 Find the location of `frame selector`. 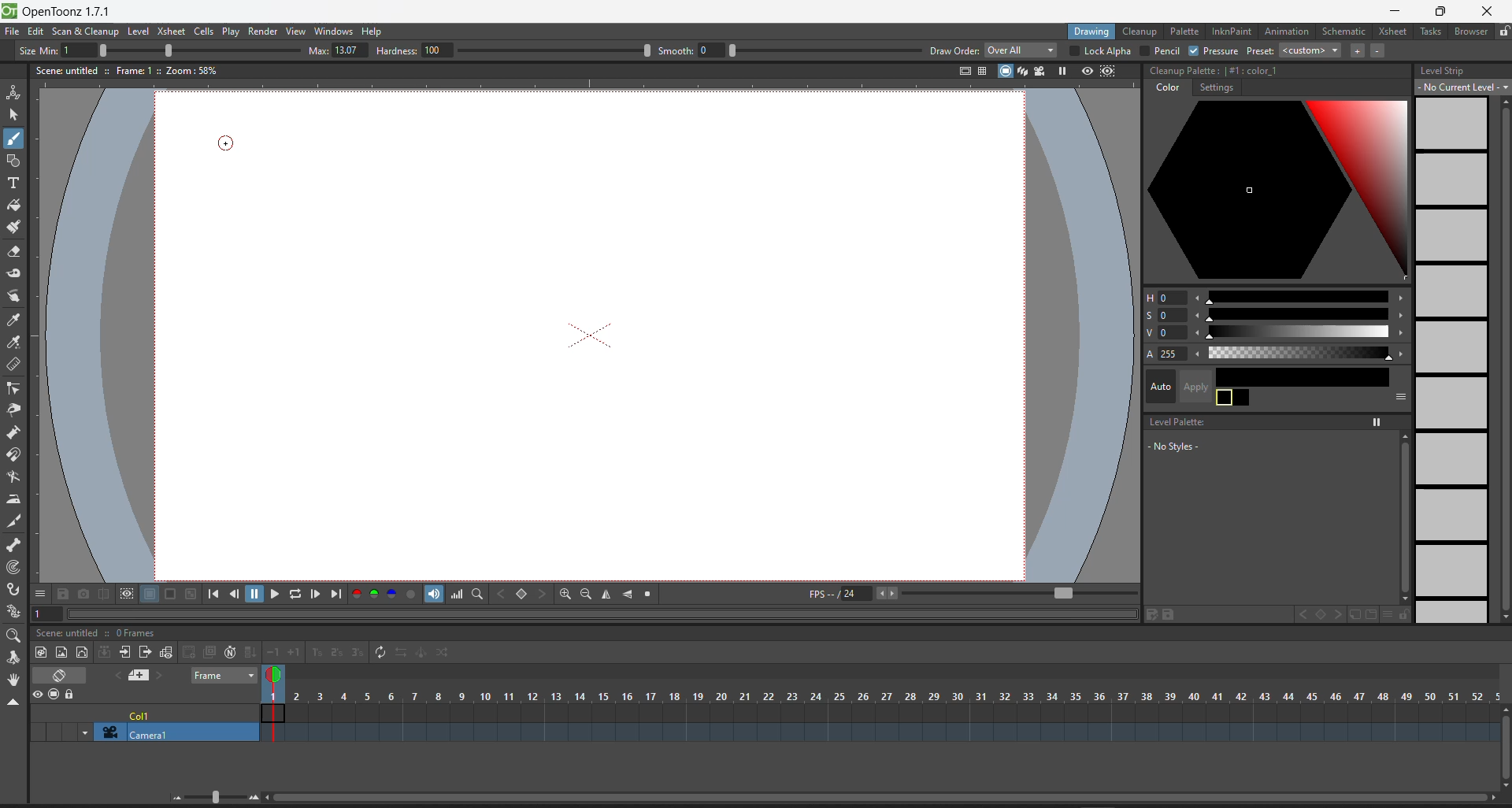

frame selector is located at coordinates (222, 675).